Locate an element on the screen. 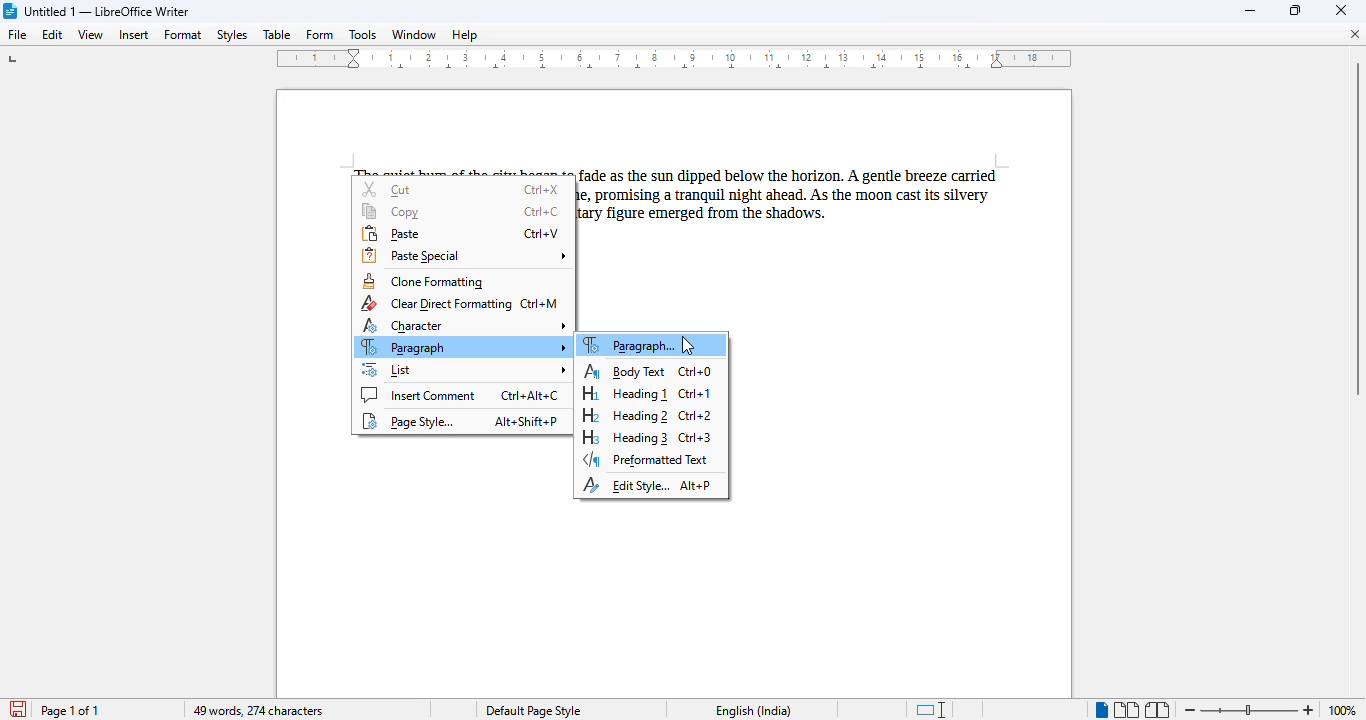 This screenshot has height=720, width=1366. cut is located at coordinates (461, 190).